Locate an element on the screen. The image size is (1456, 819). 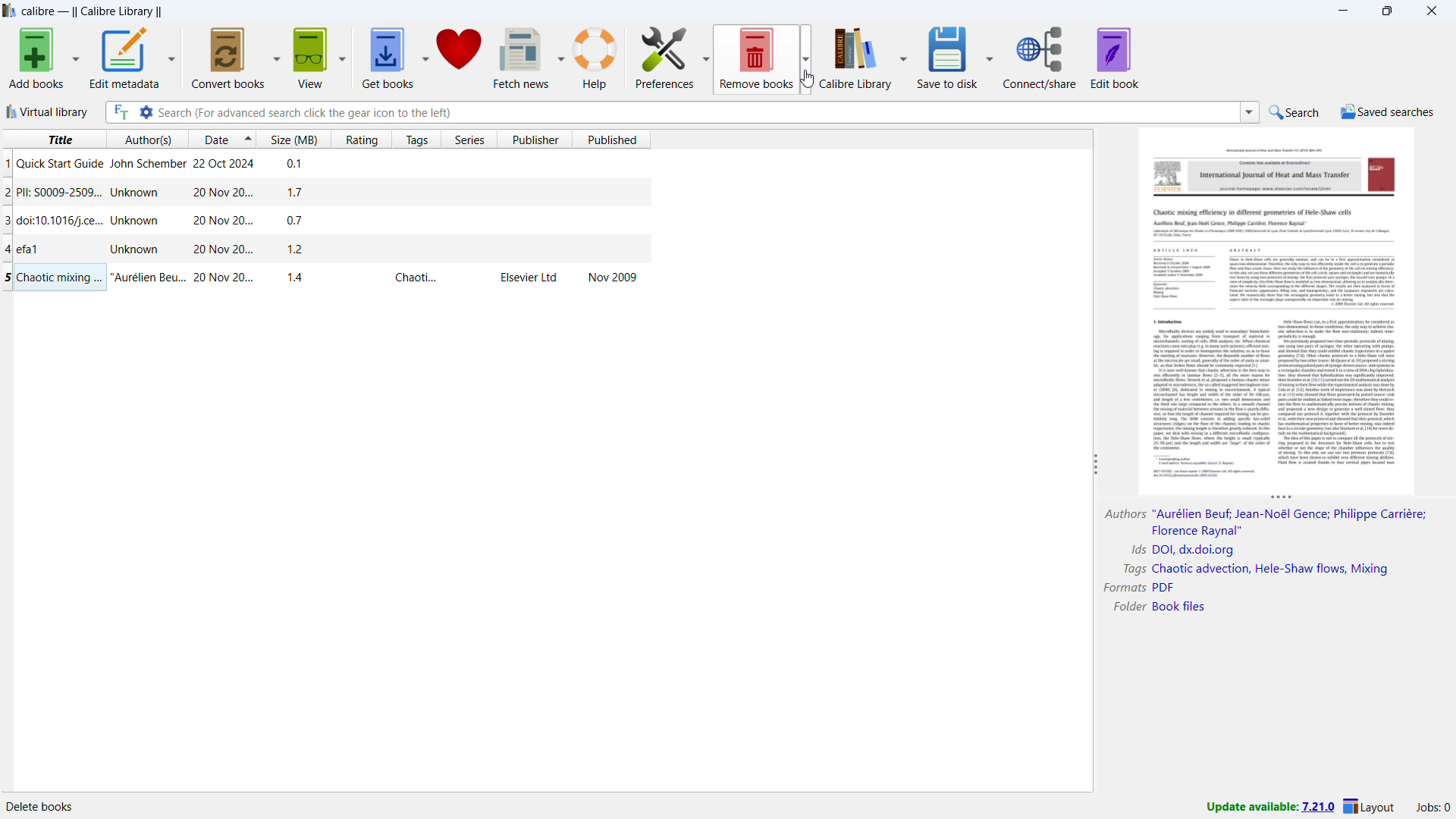
calibre library is located at coordinates (855, 57).